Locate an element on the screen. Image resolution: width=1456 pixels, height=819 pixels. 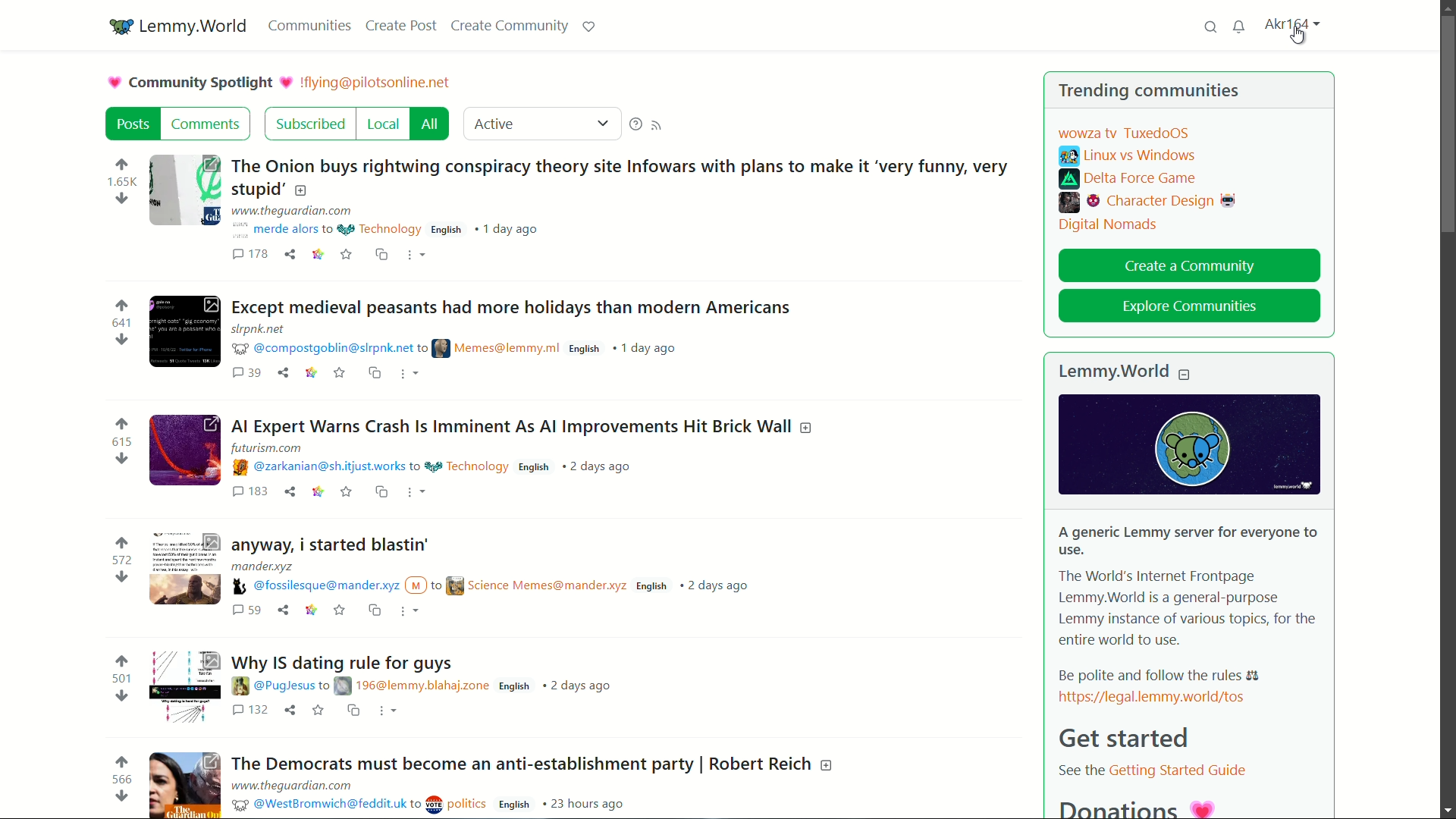
post details is located at coordinates (442, 459).